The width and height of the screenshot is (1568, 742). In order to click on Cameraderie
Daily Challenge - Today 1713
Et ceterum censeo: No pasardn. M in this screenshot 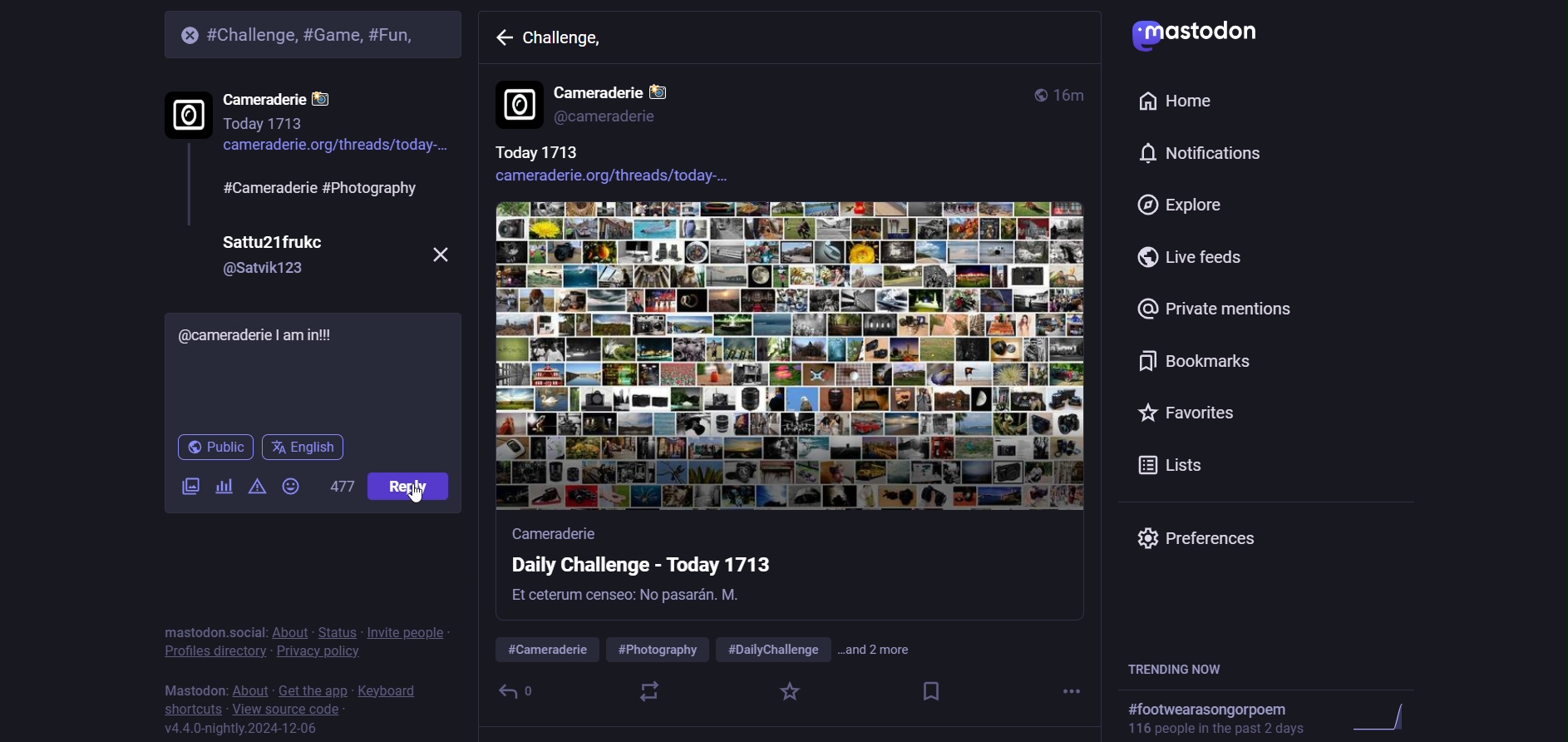, I will do `click(656, 567)`.